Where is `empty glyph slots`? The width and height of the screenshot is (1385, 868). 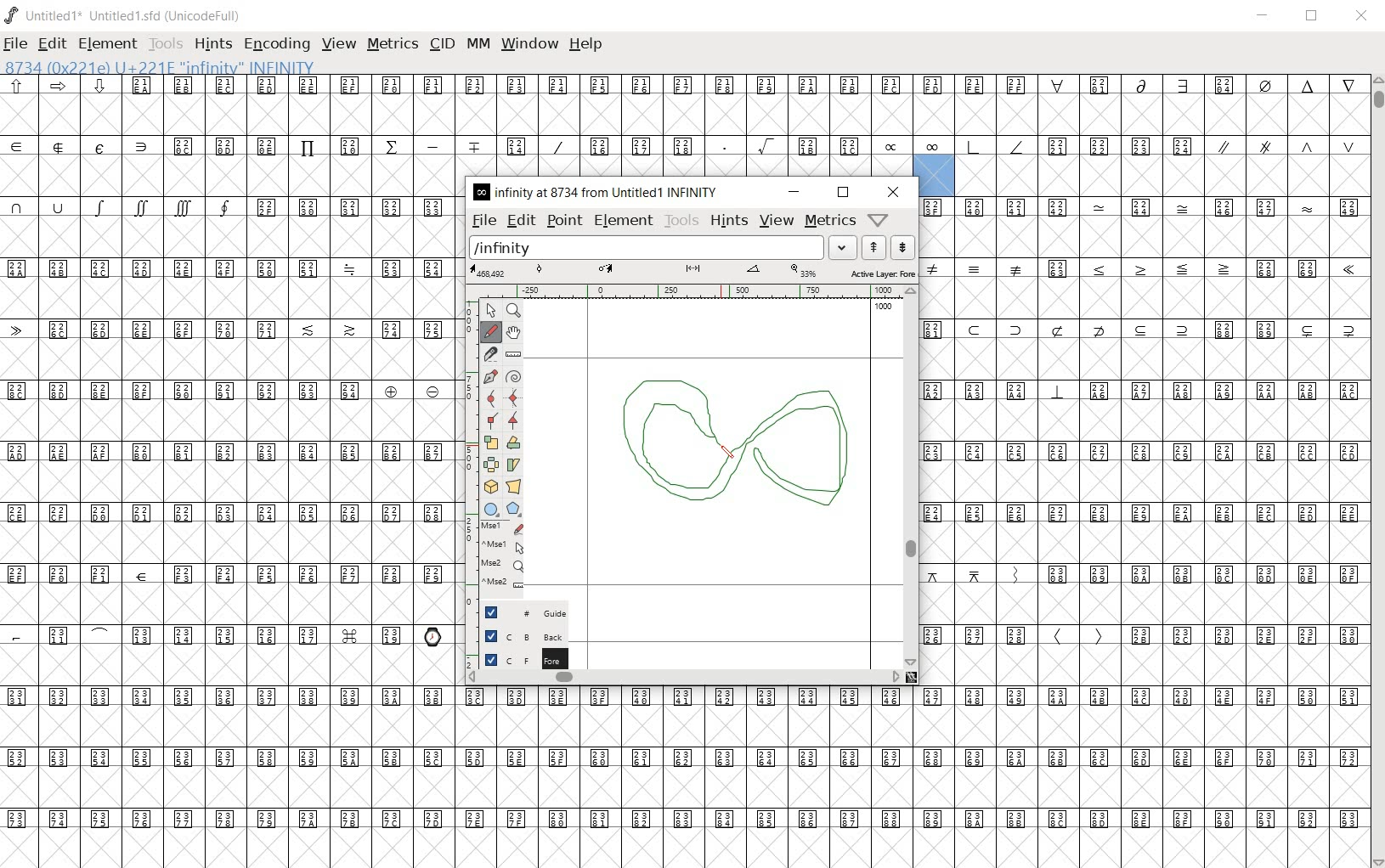 empty glyph slots is located at coordinates (683, 786).